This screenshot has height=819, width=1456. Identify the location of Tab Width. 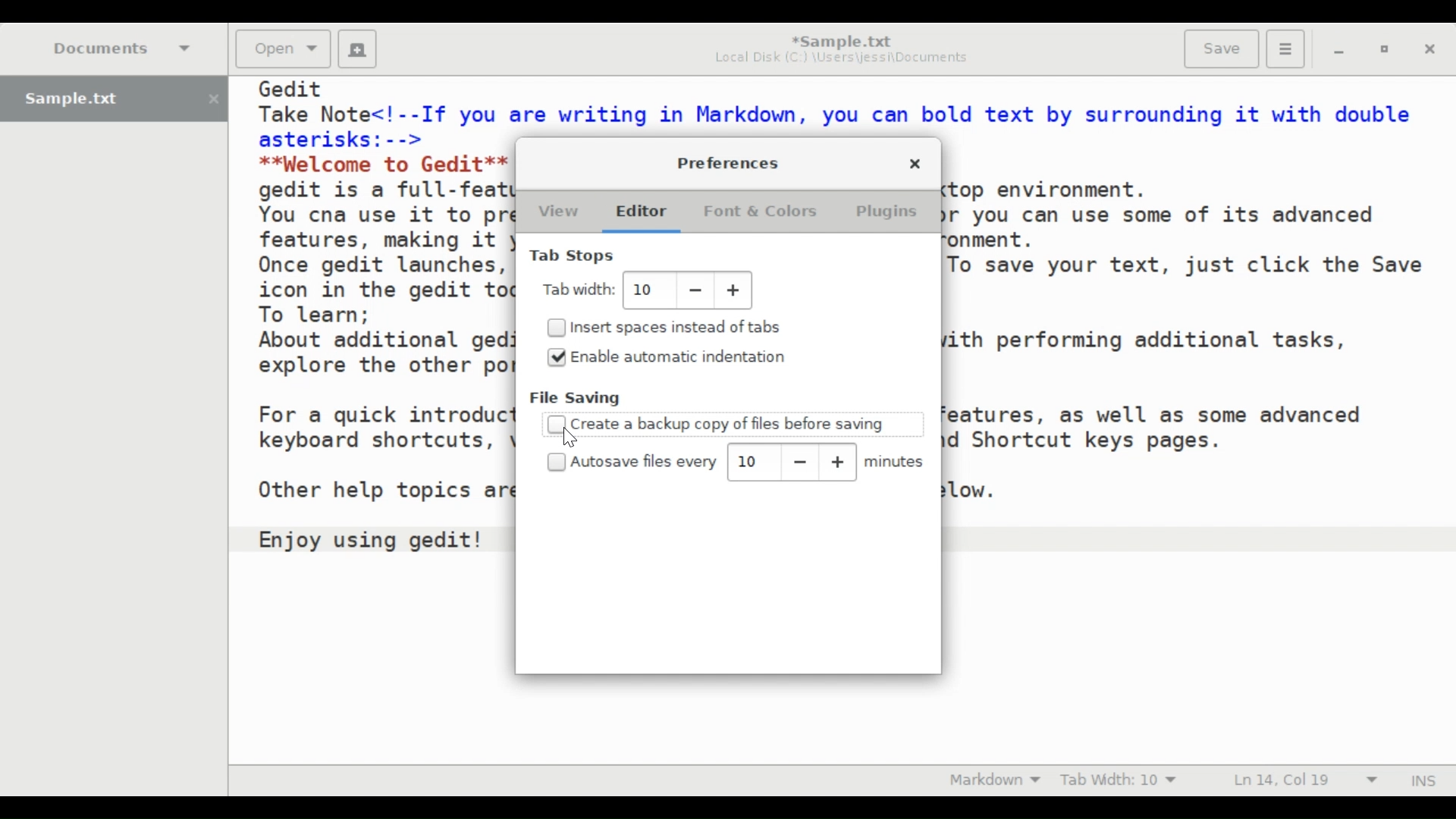
(580, 289).